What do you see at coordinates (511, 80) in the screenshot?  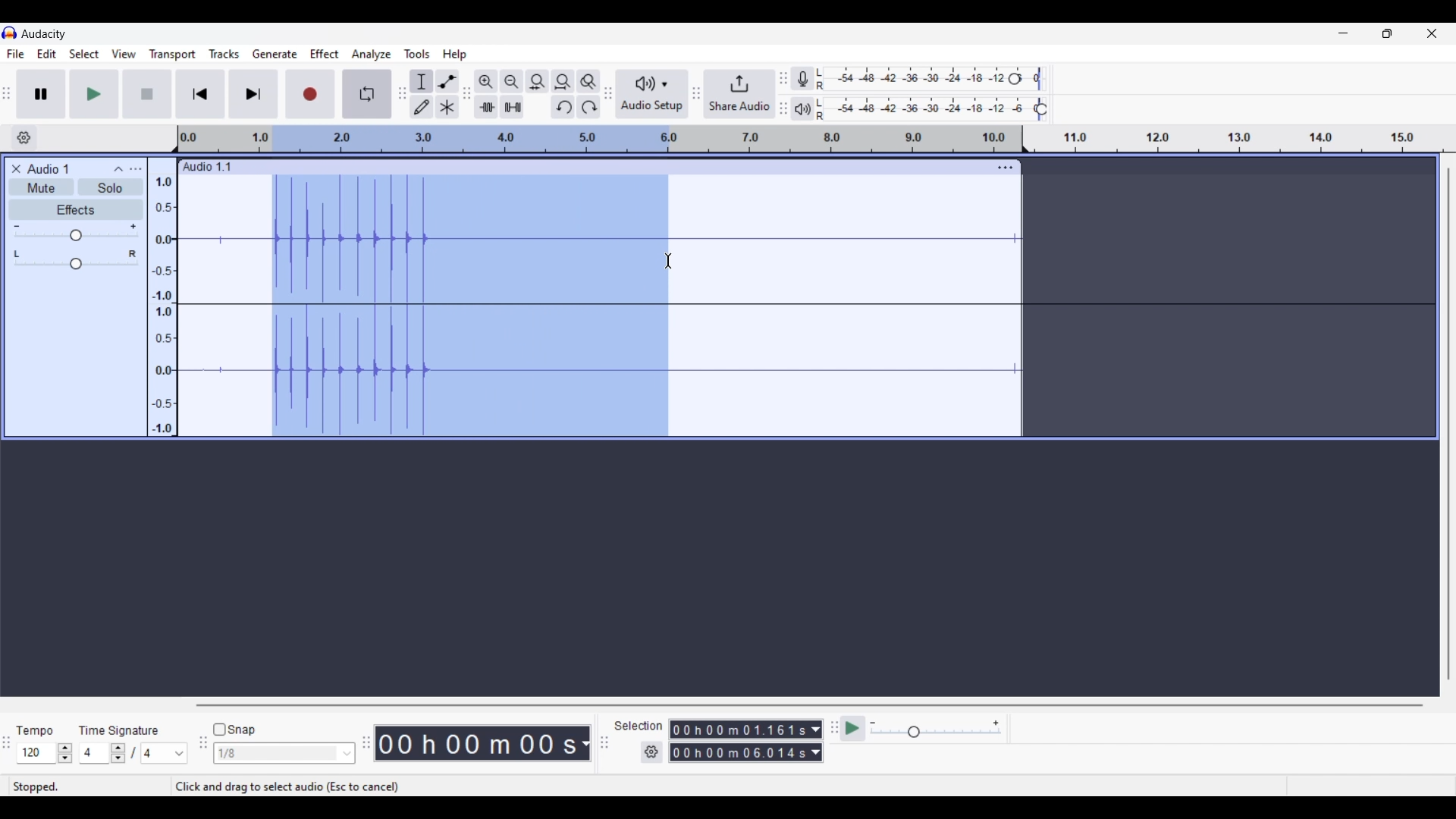 I see `Zoom out` at bounding box center [511, 80].